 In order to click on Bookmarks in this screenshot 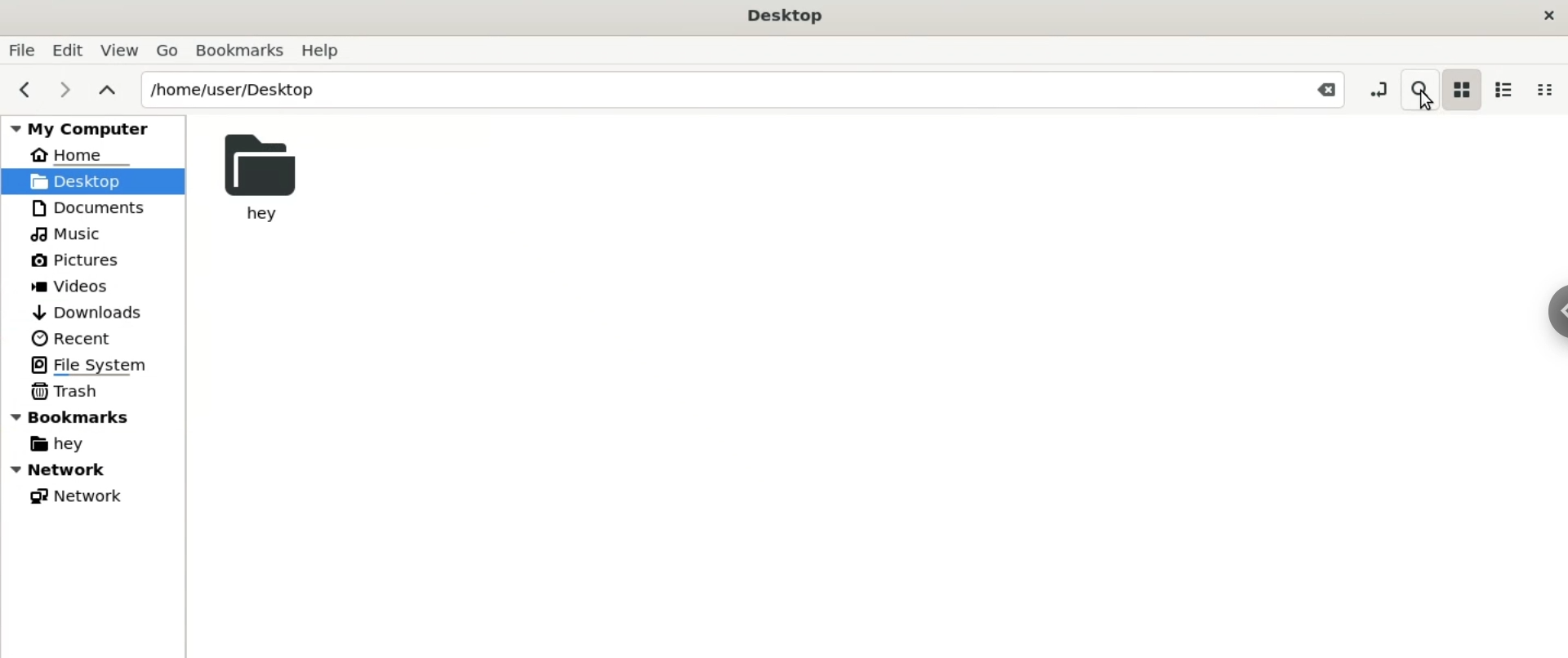, I will do `click(76, 416)`.